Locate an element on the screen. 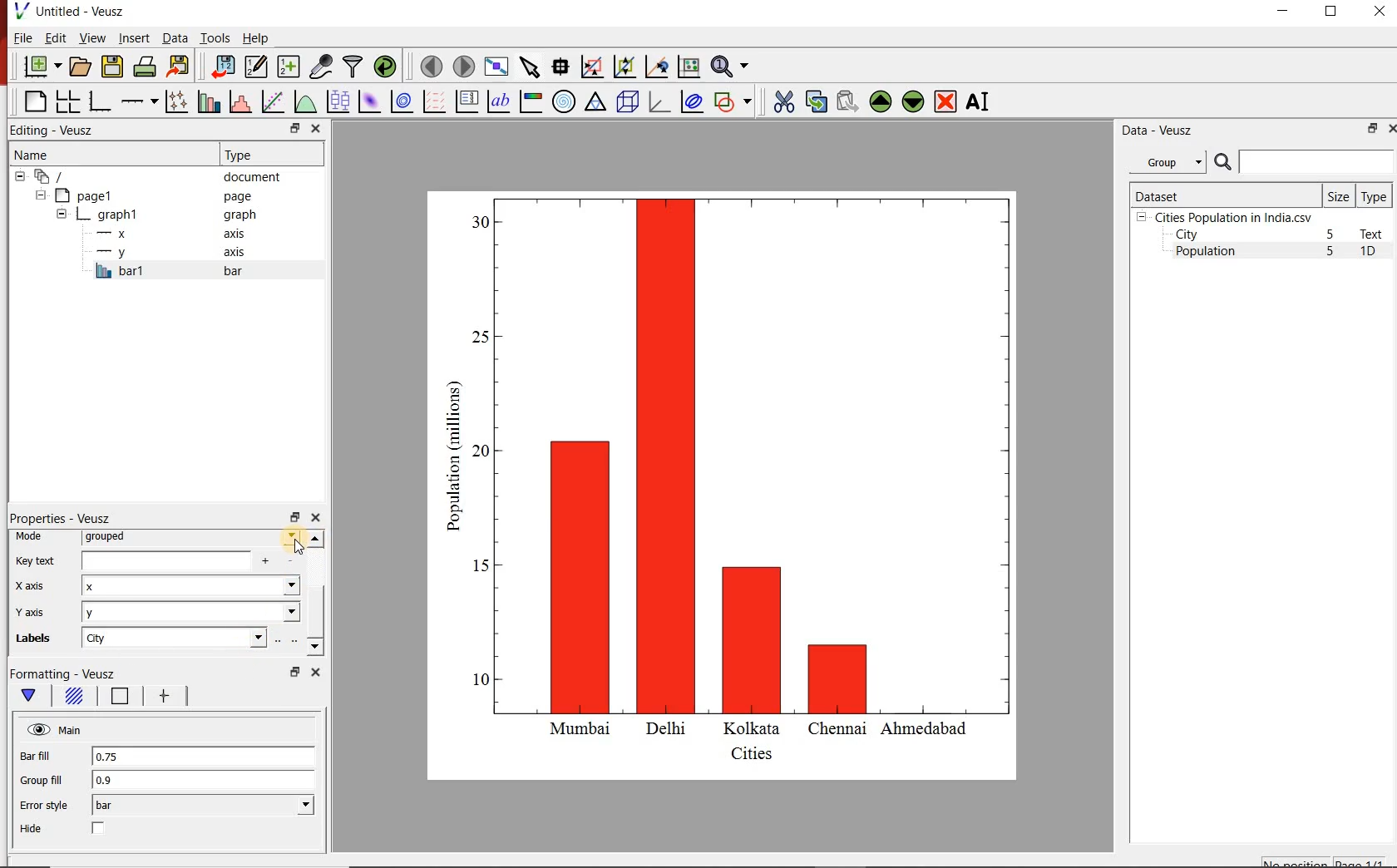 The height and width of the screenshot is (868, 1397). print the document is located at coordinates (144, 67).